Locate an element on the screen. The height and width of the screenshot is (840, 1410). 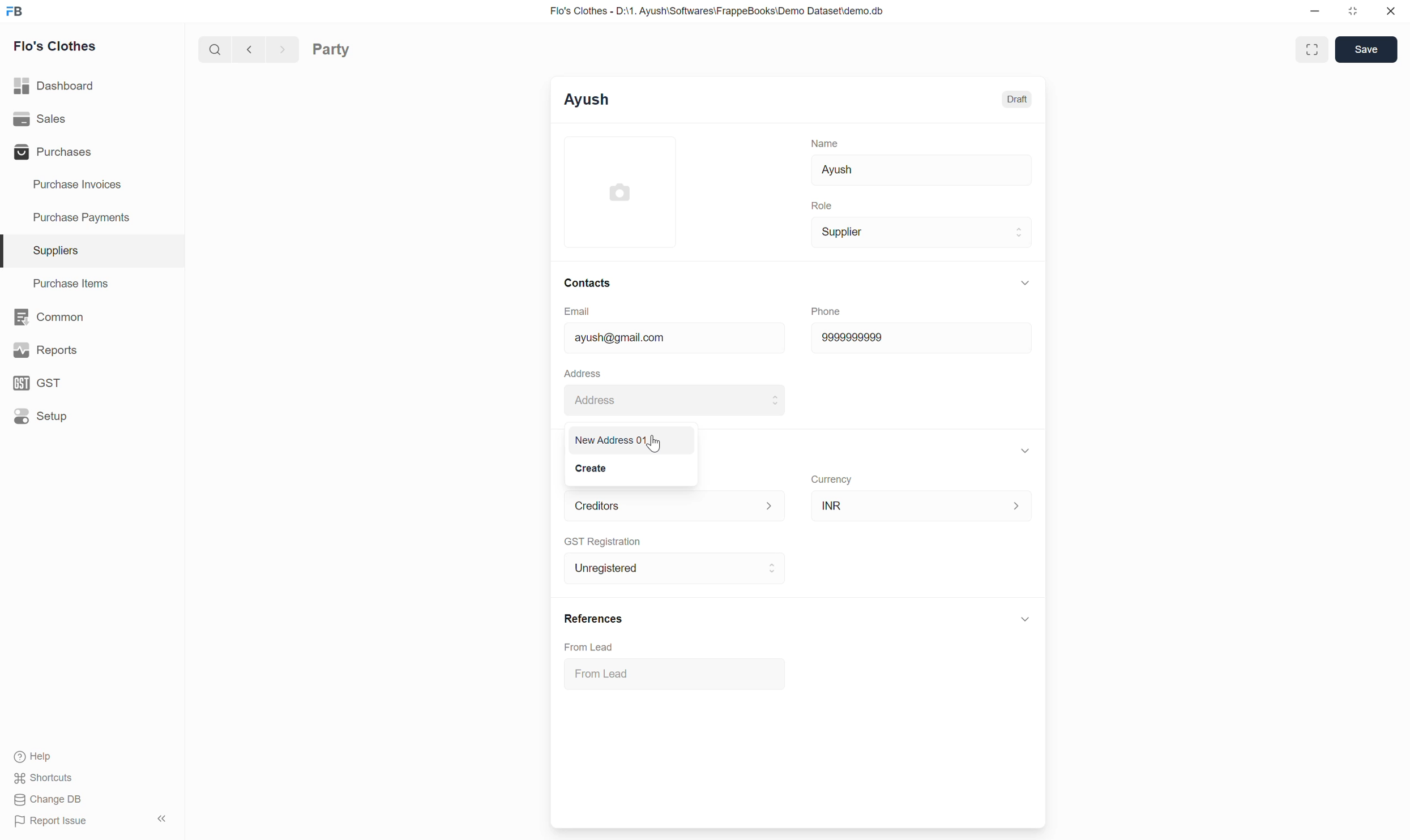
Shortcuts is located at coordinates (44, 778).